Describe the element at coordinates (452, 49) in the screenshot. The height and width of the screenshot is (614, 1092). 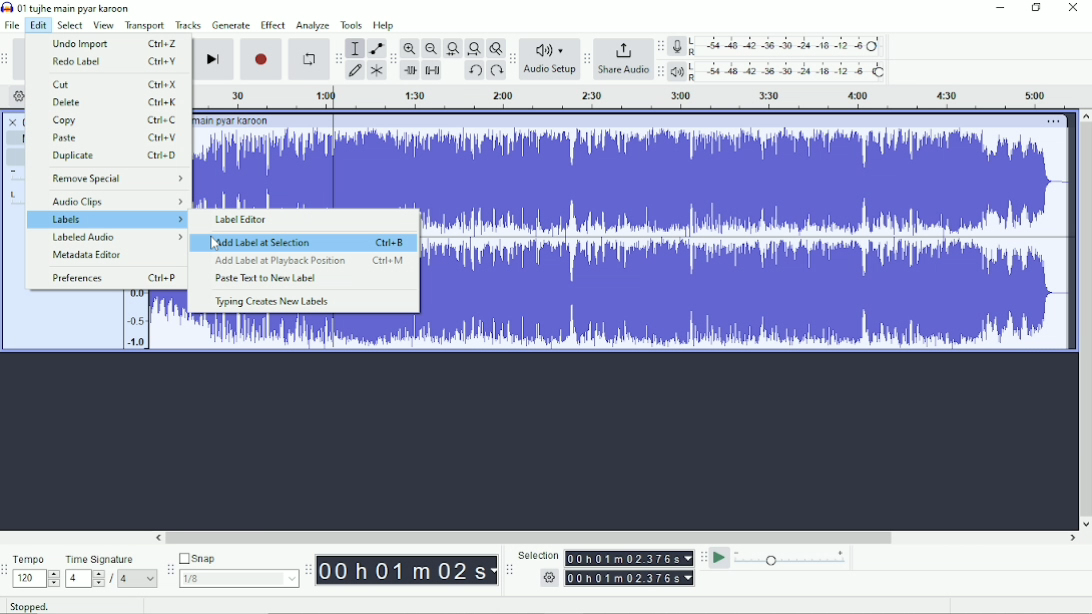
I see `Fit selection to width` at that location.